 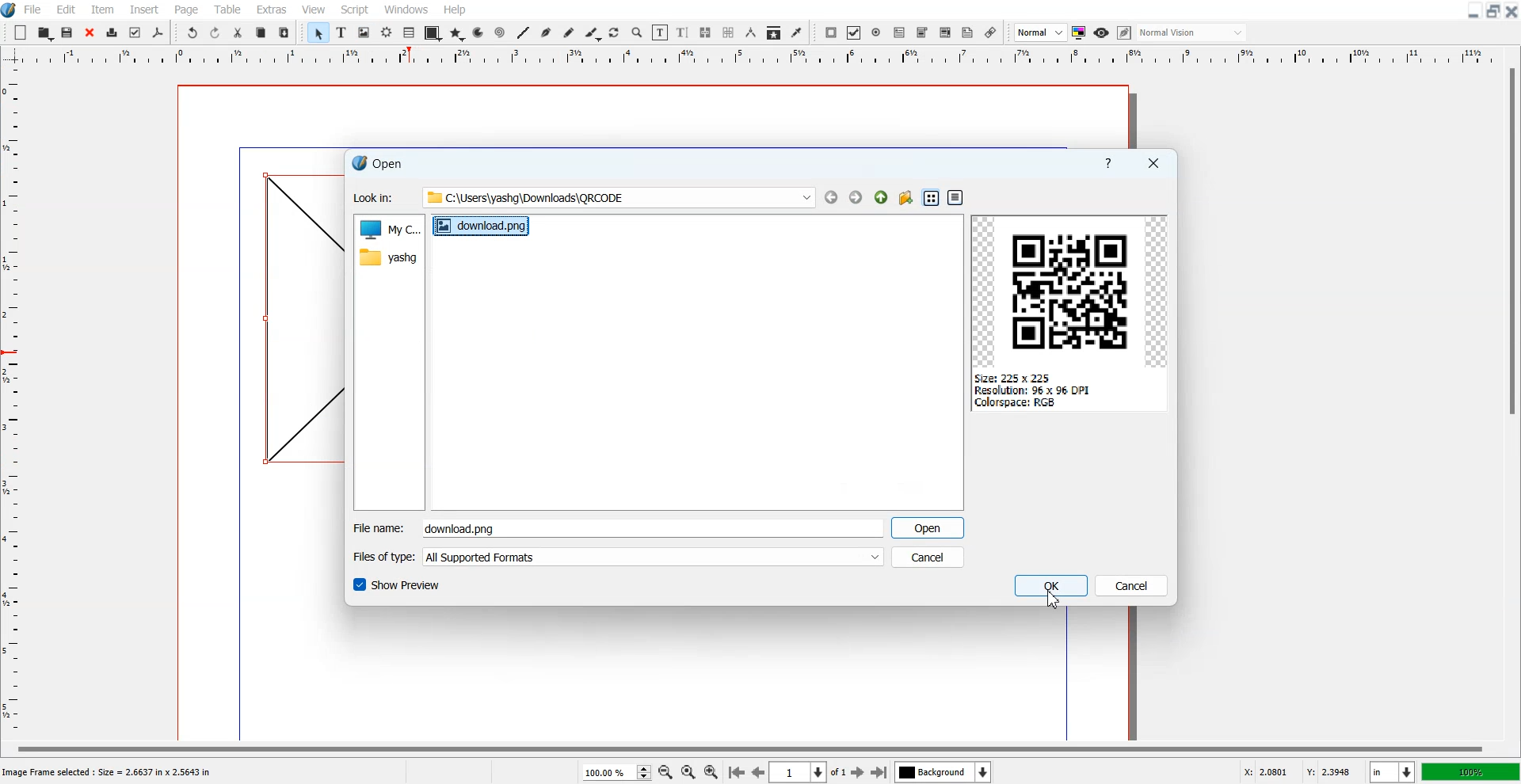 What do you see at coordinates (461, 528) in the screenshot?
I see `download.png` at bounding box center [461, 528].